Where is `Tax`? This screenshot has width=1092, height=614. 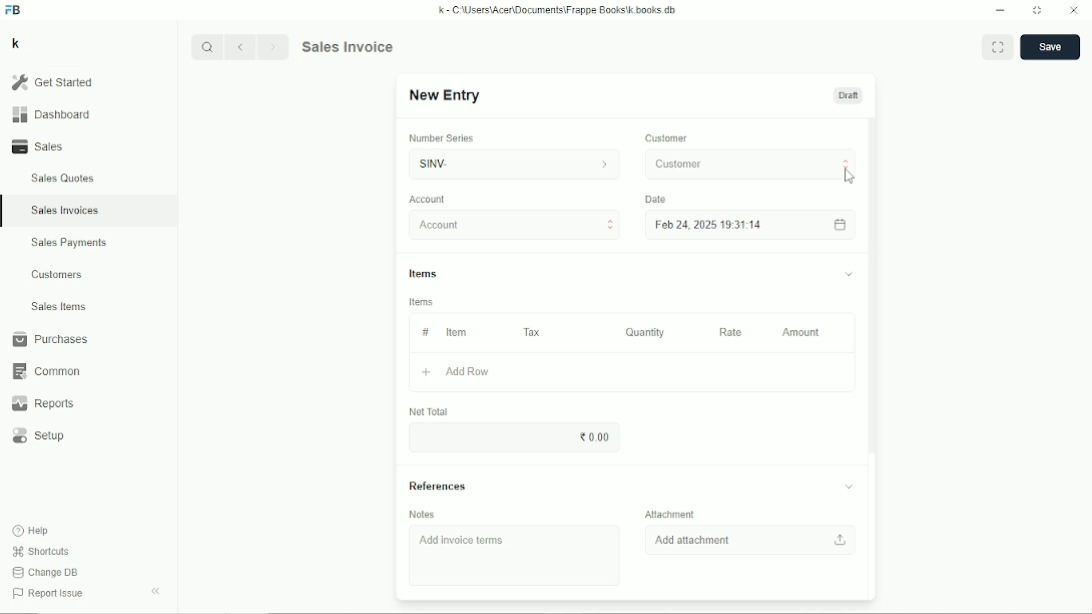
Tax is located at coordinates (534, 332).